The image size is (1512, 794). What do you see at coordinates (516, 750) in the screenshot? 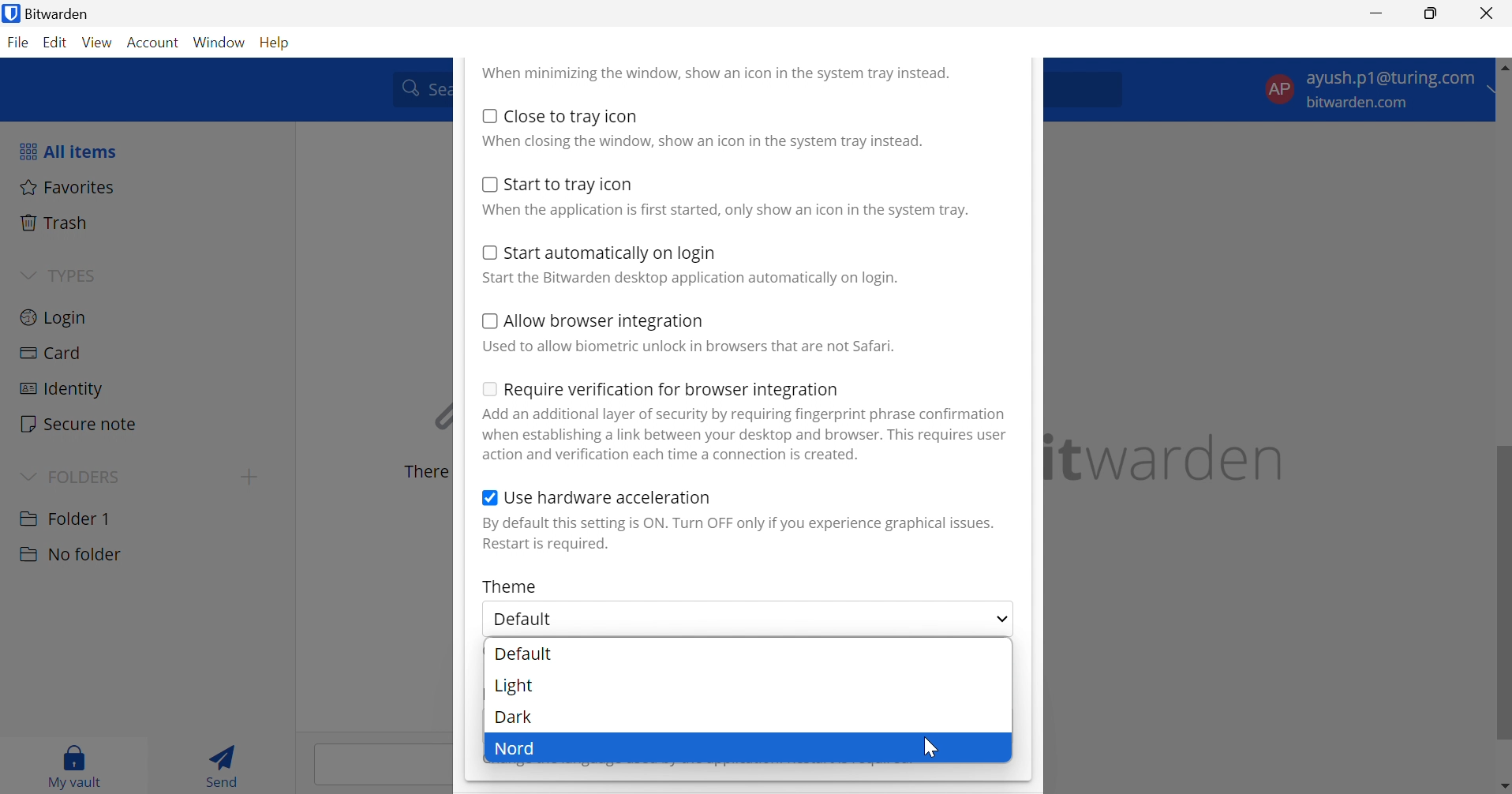
I see `Nord` at bounding box center [516, 750].